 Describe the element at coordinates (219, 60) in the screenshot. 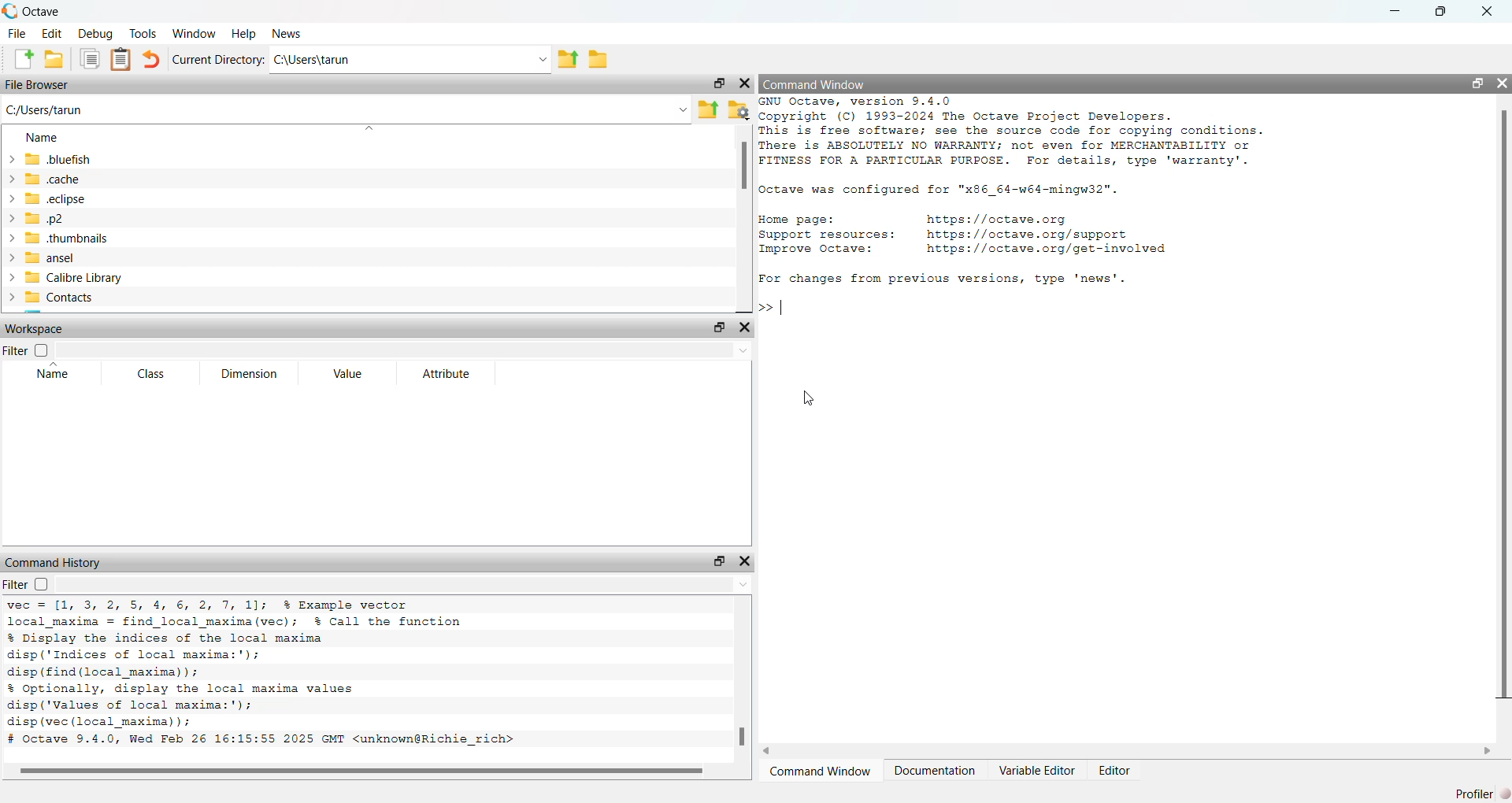

I see `Current Directory:` at that location.